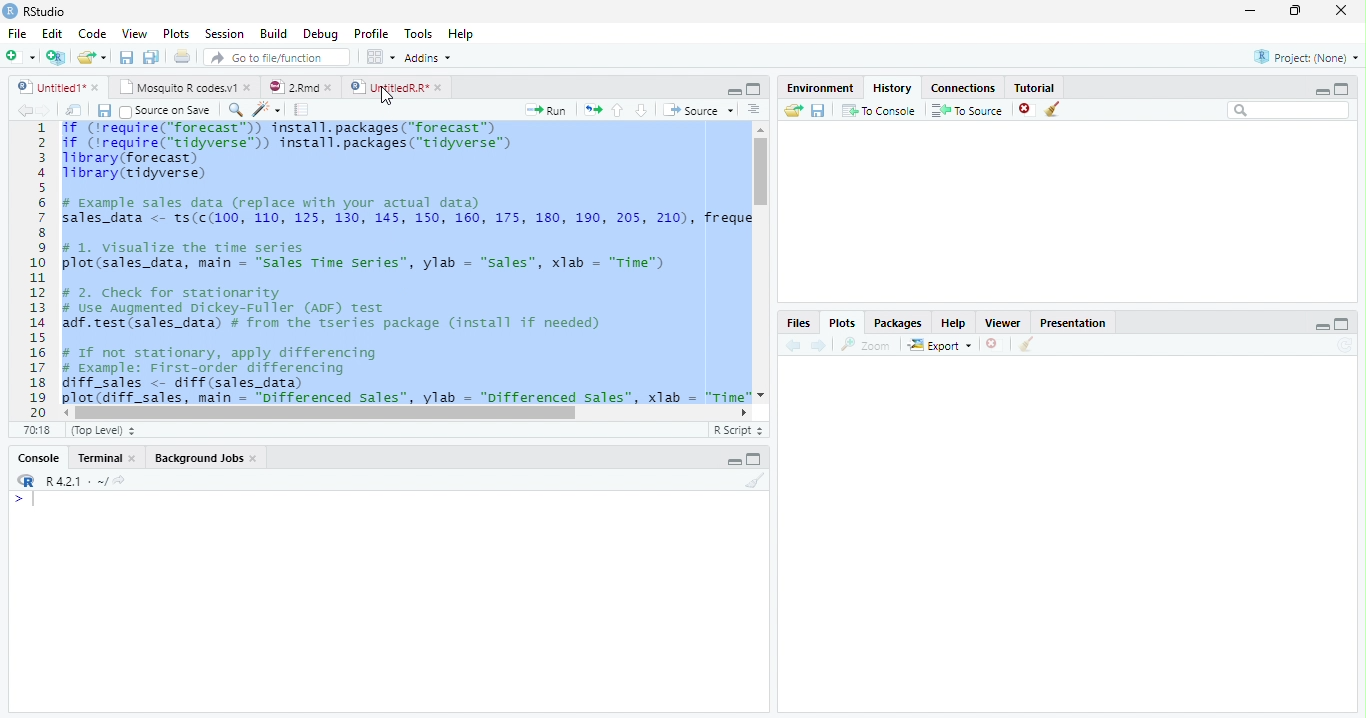  I want to click on Save, so click(102, 110).